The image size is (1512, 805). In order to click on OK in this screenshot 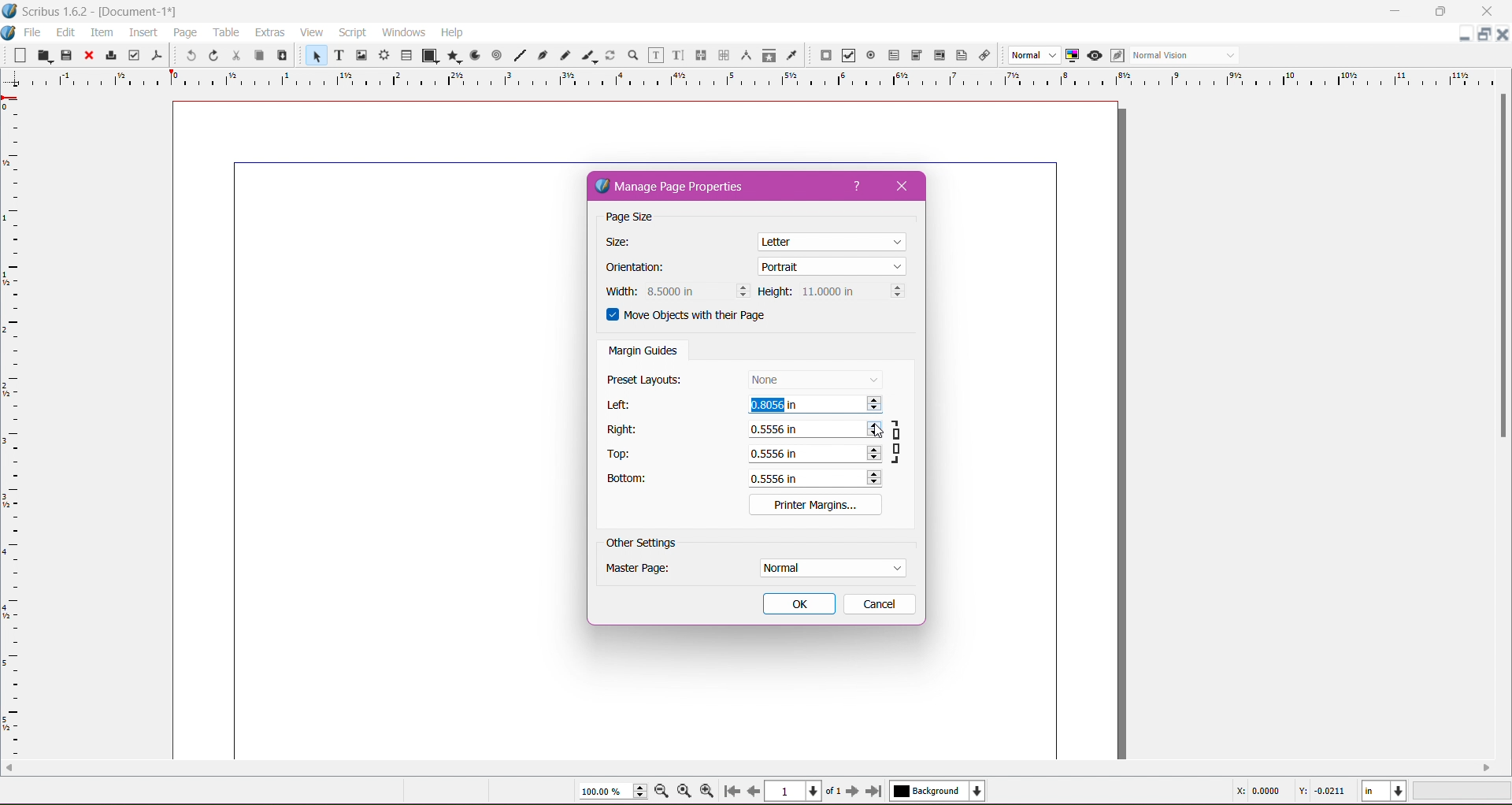, I will do `click(799, 604)`.